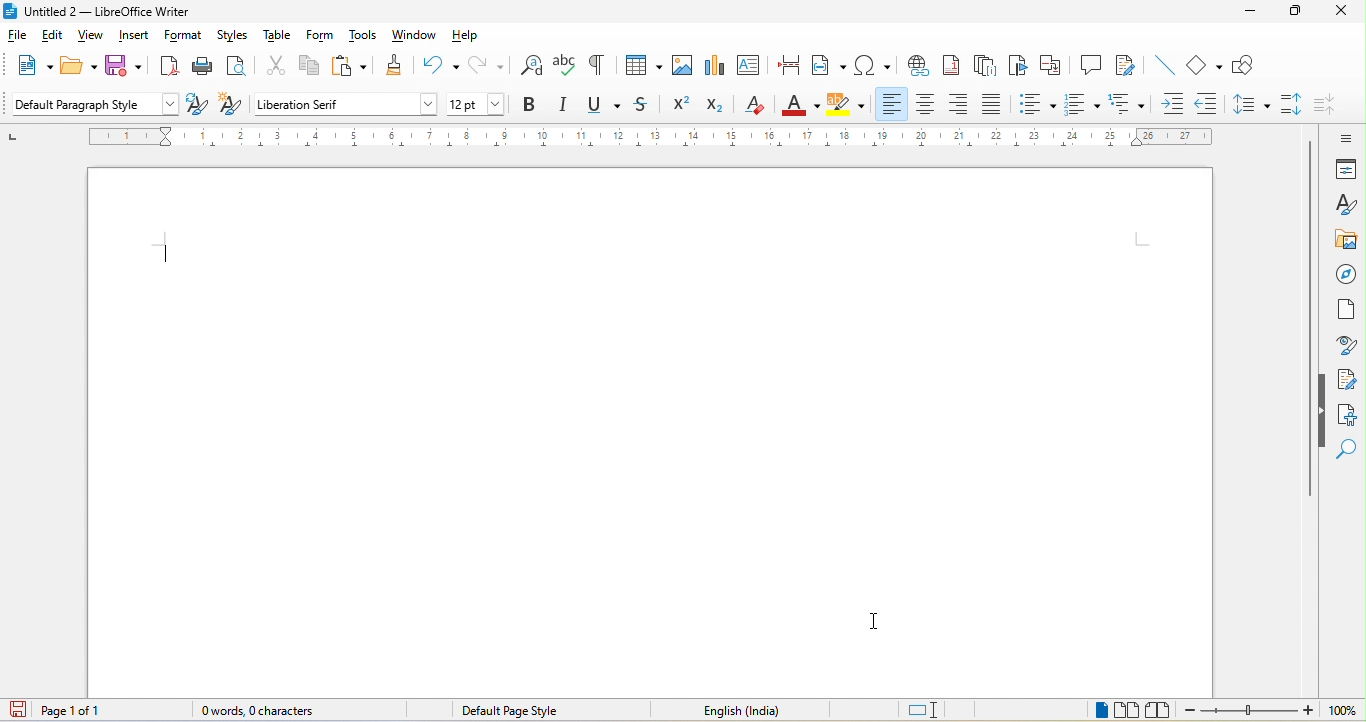  What do you see at coordinates (571, 70) in the screenshot?
I see `spelling` at bounding box center [571, 70].